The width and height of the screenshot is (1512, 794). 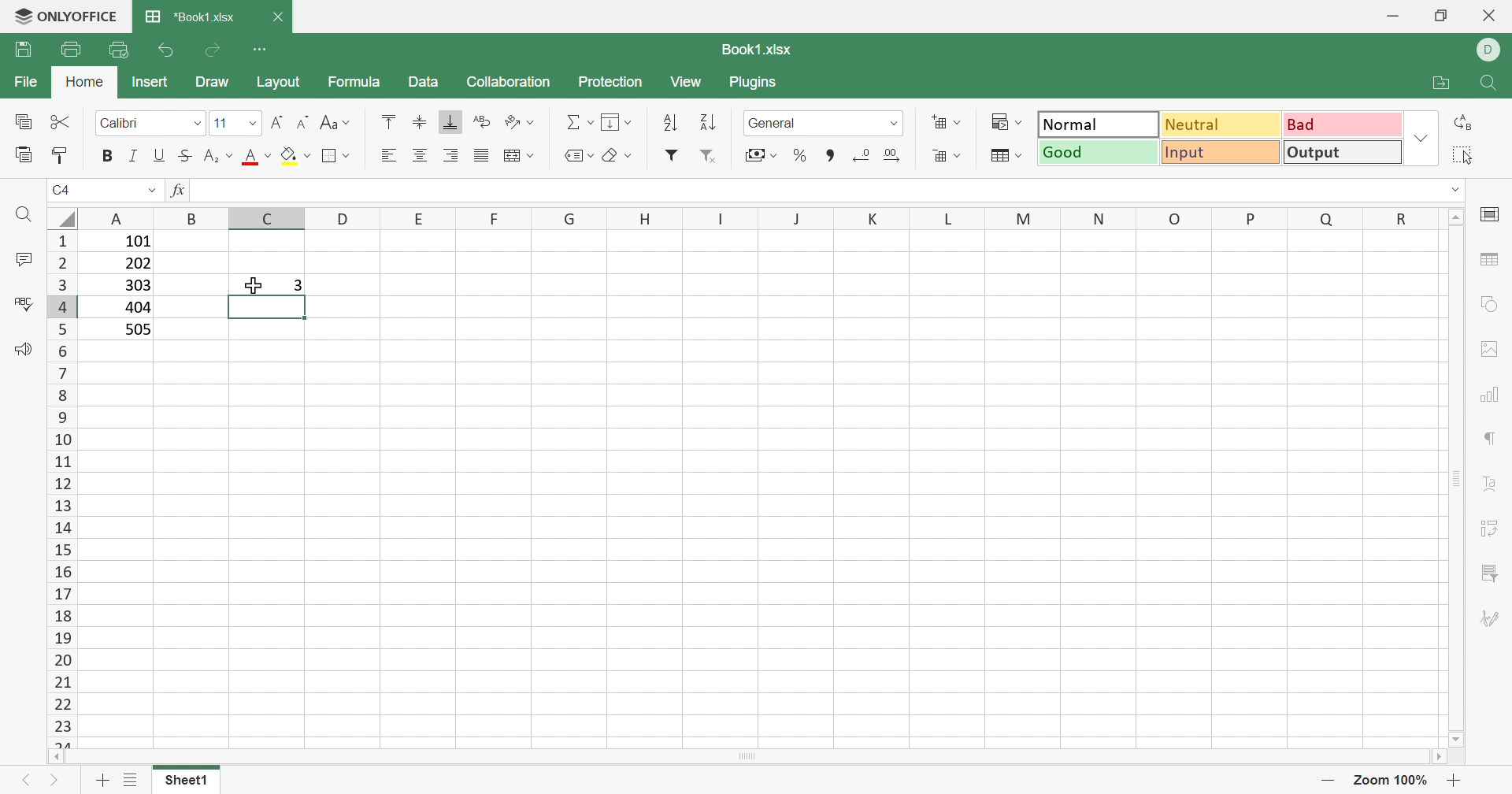 What do you see at coordinates (63, 154) in the screenshot?
I see `Copy Style` at bounding box center [63, 154].